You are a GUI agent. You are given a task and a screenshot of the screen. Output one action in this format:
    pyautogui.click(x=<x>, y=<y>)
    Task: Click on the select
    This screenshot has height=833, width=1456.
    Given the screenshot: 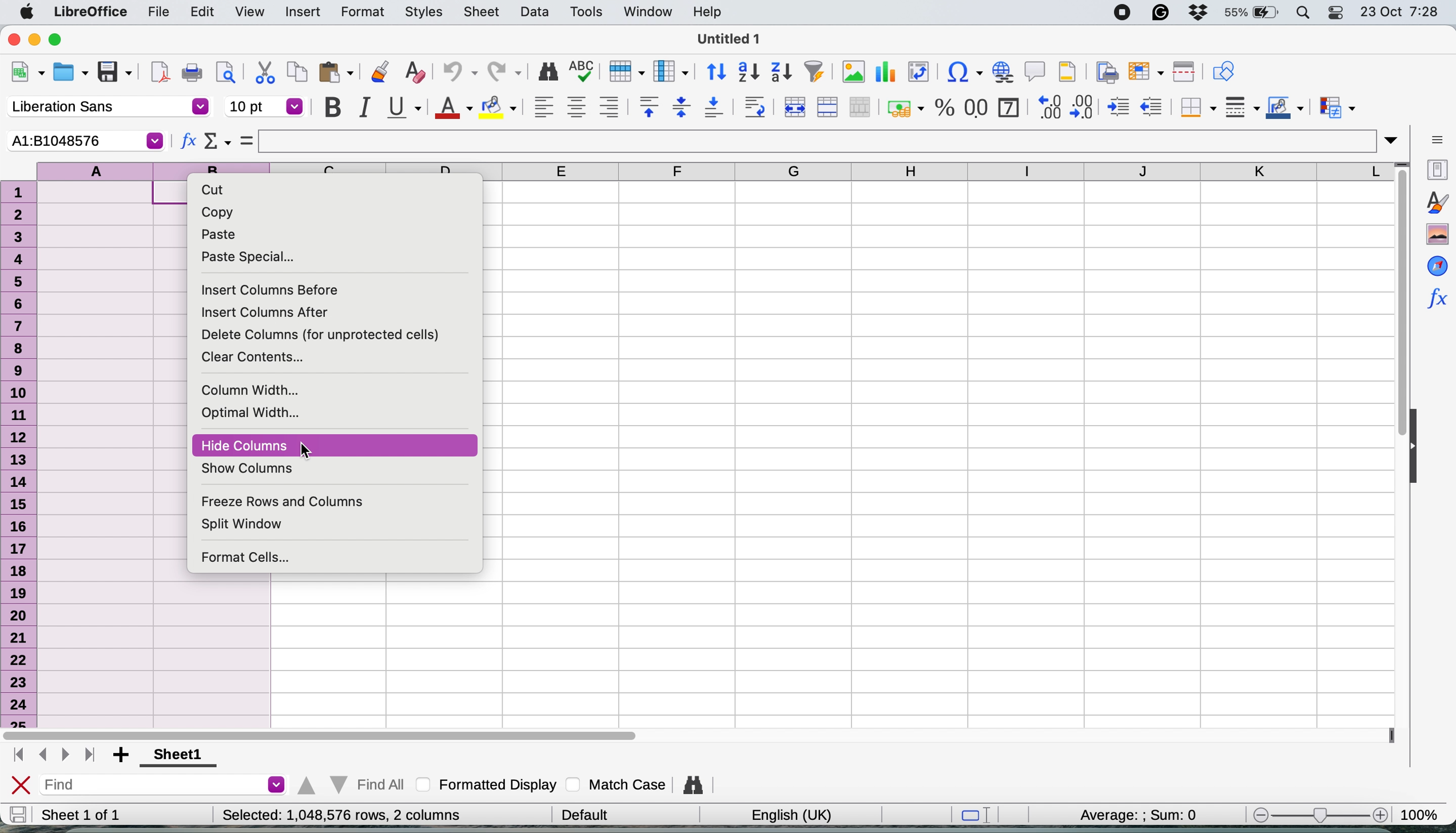 What is the action you would take?
    pyautogui.click(x=247, y=141)
    